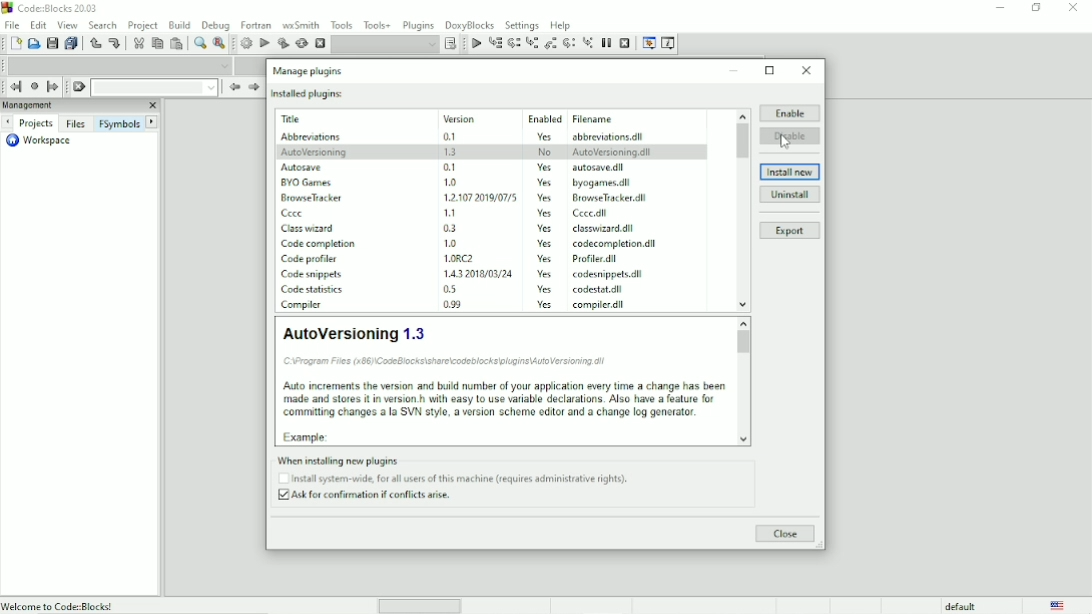  What do you see at coordinates (199, 43) in the screenshot?
I see `Find` at bounding box center [199, 43].